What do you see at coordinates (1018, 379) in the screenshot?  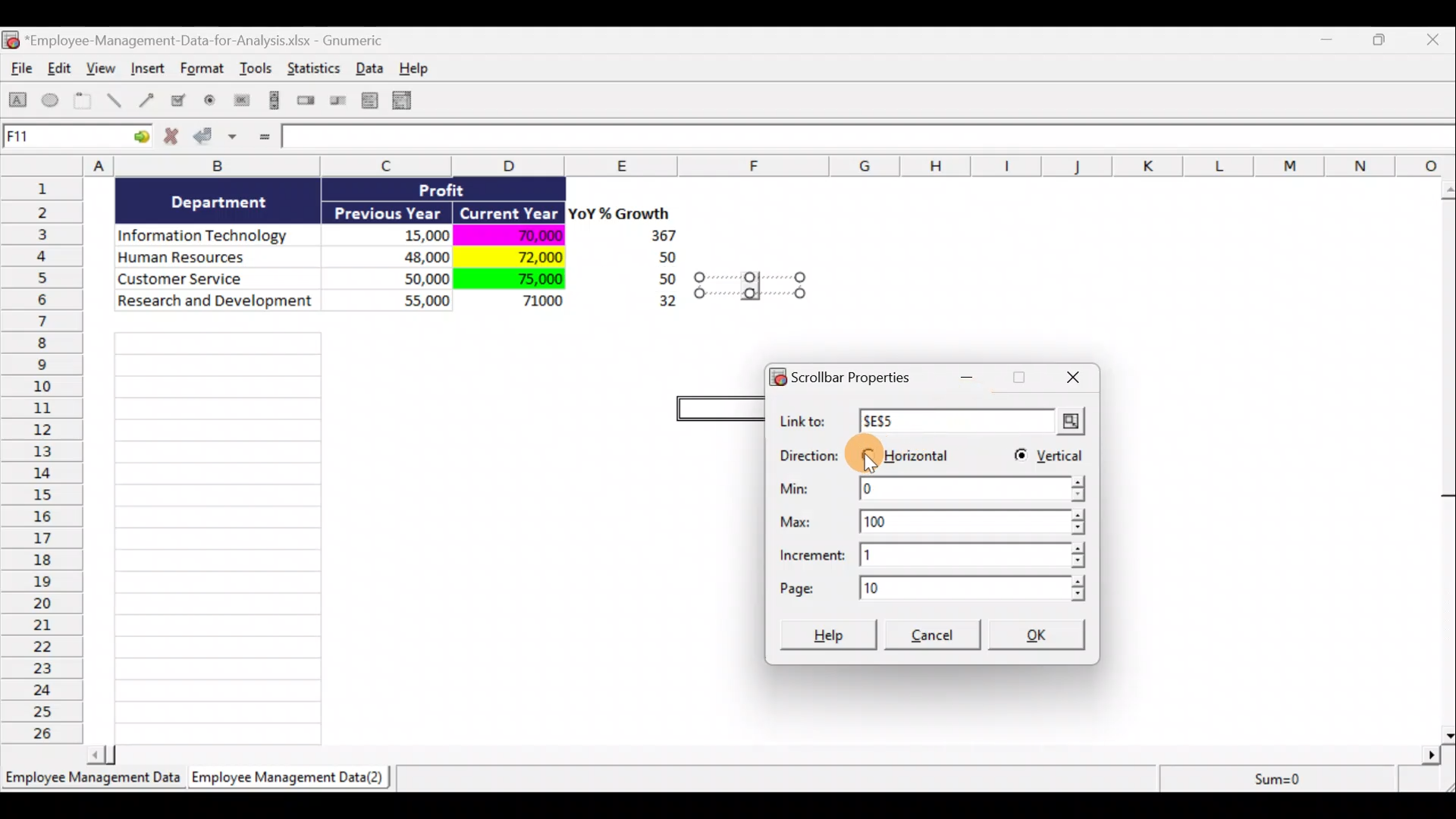 I see `Maximise` at bounding box center [1018, 379].